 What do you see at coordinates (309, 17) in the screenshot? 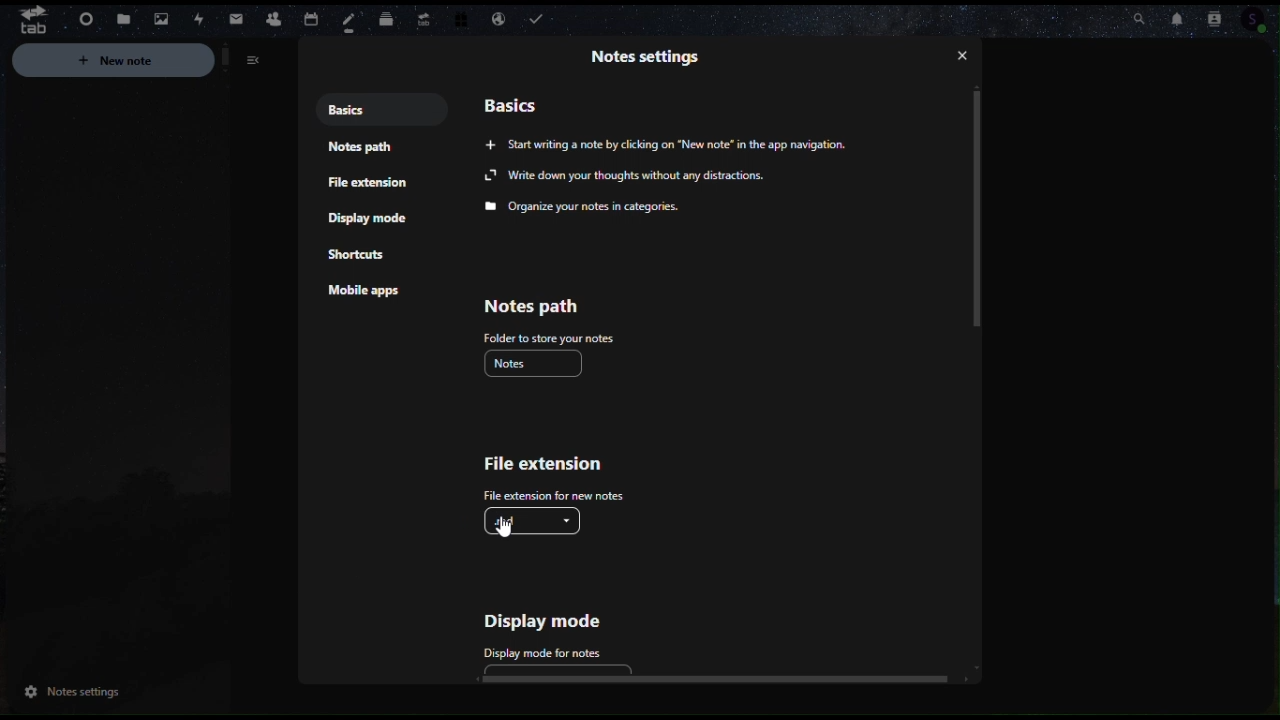
I see `Calendar` at bounding box center [309, 17].